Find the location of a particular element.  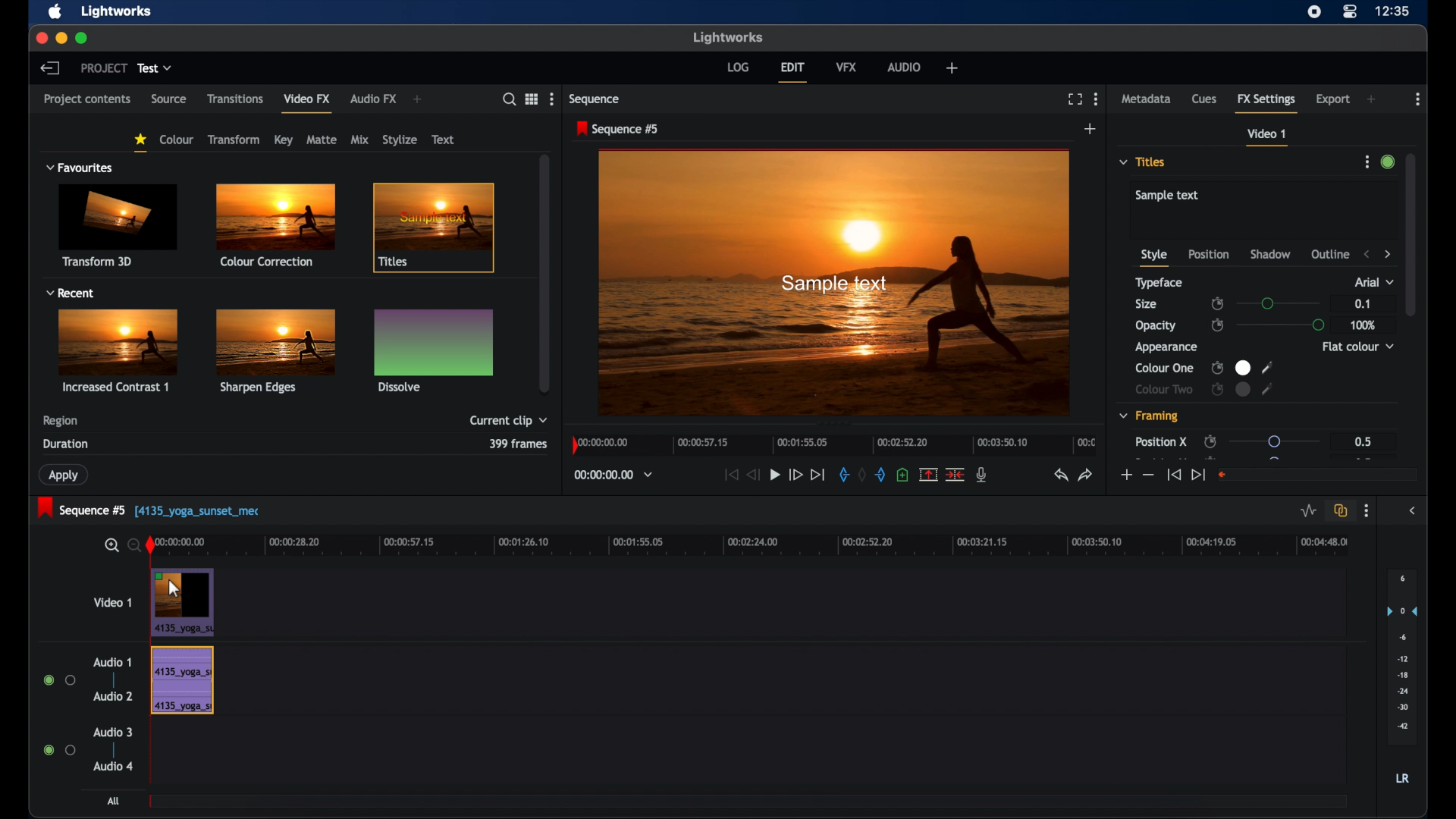

scroll box is located at coordinates (546, 273).